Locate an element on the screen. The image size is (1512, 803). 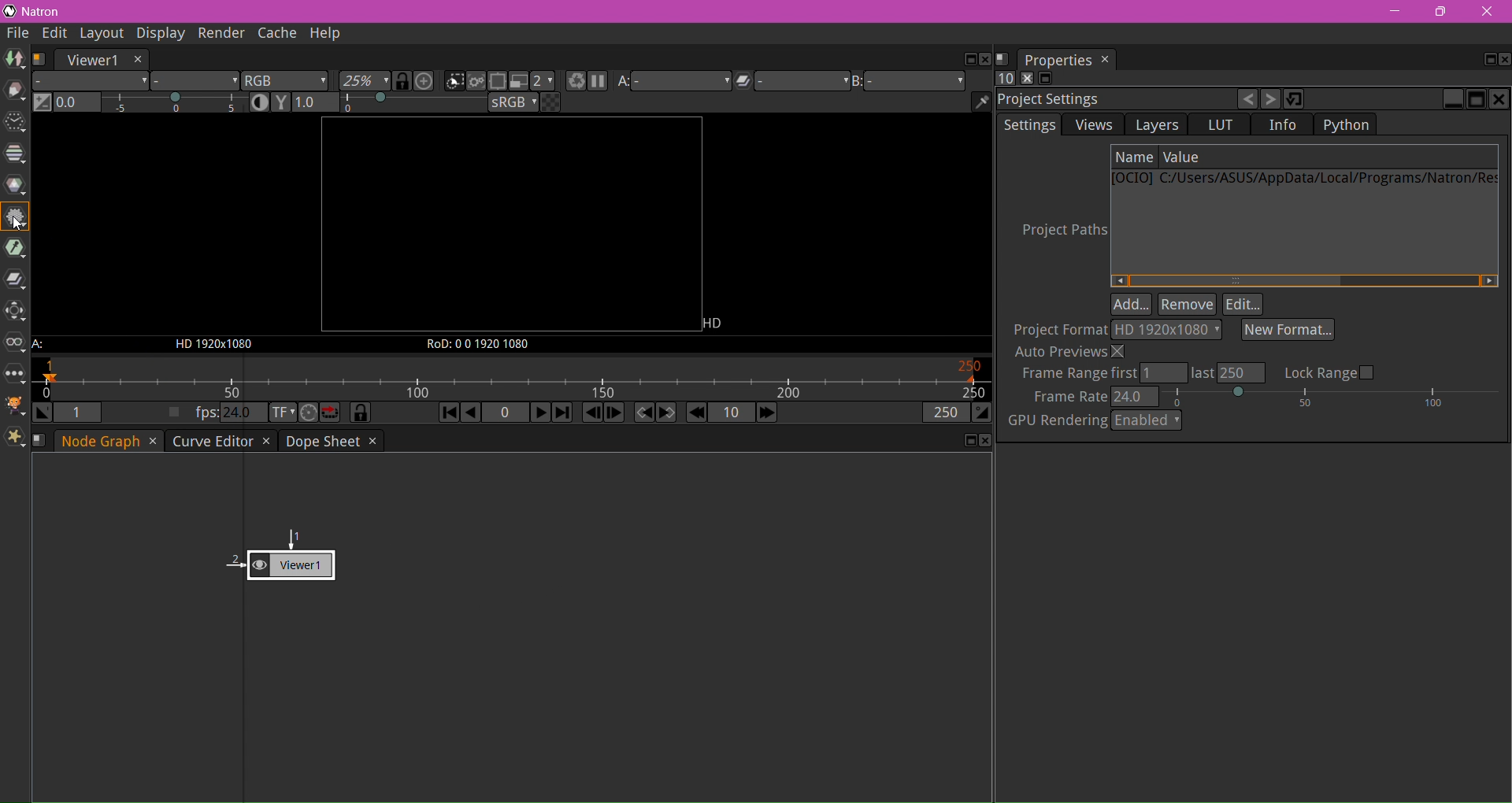
Node Graph is located at coordinates (103, 441).